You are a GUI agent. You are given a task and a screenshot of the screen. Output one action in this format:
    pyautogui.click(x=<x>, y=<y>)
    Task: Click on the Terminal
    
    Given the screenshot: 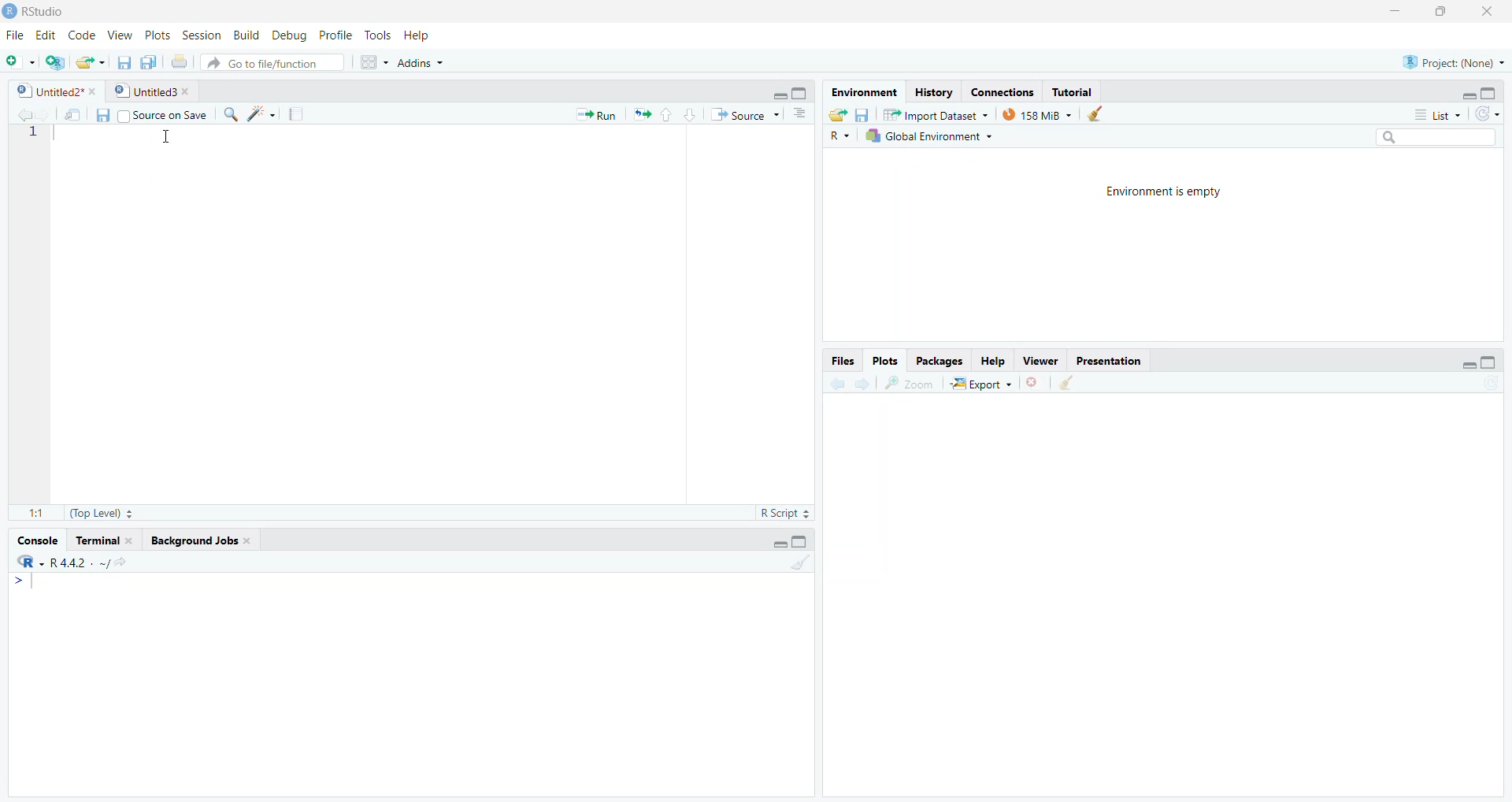 What is the action you would take?
    pyautogui.click(x=106, y=539)
    